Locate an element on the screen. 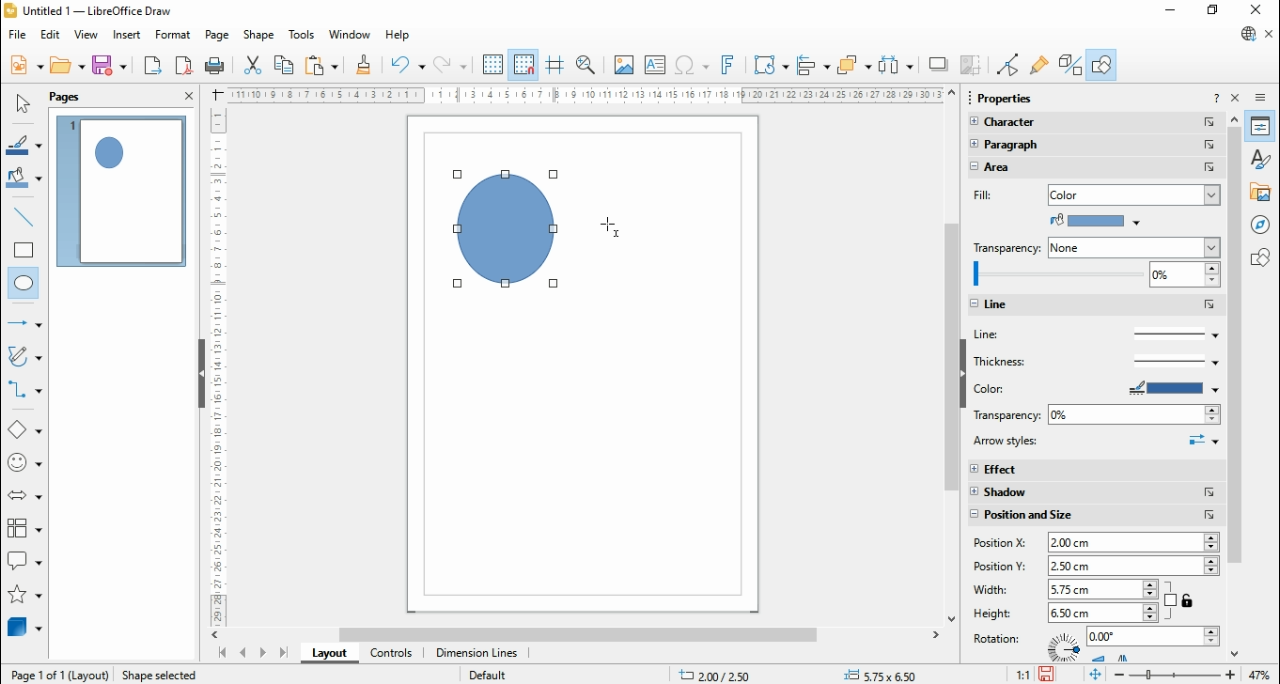 The width and height of the screenshot is (1280, 684). snap to grid is located at coordinates (525, 64).